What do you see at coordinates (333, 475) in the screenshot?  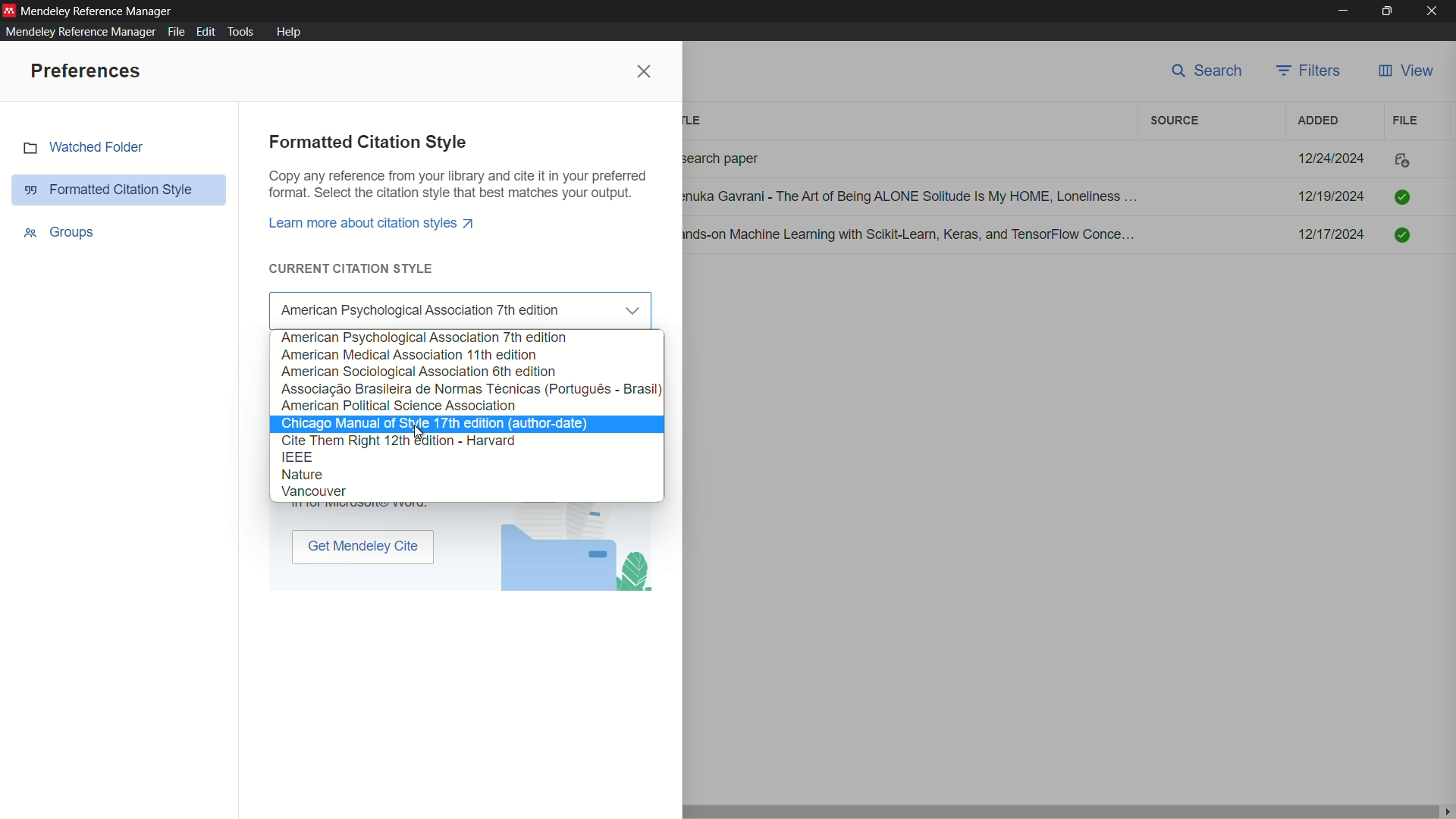 I see `citation styles` at bounding box center [333, 475].